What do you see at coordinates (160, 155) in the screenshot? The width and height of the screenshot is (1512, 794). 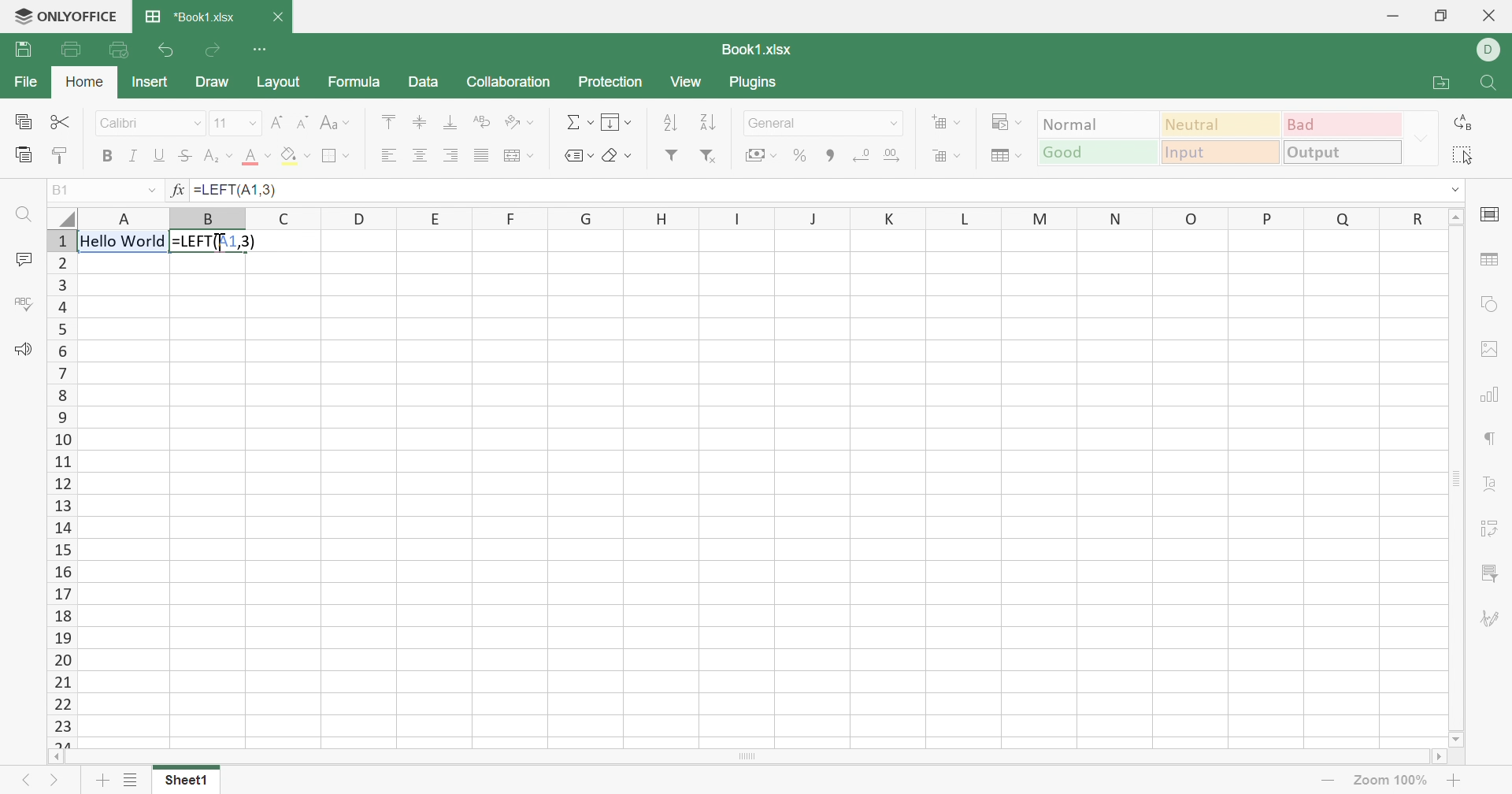 I see `Underline` at bounding box center [160, 155].